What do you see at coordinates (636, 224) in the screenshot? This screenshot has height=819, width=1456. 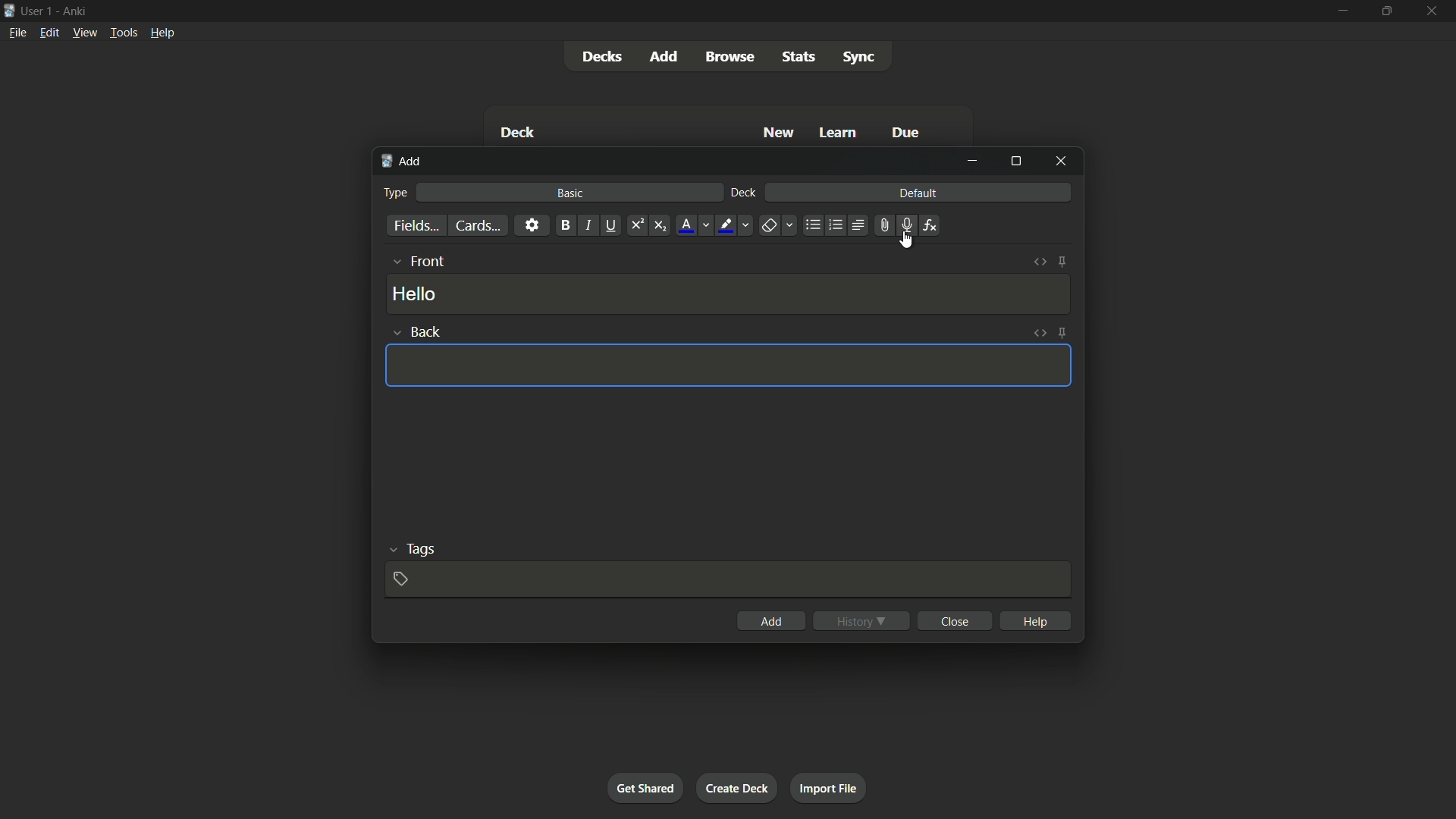 I see `superscript` at bounding box center [636, 224].